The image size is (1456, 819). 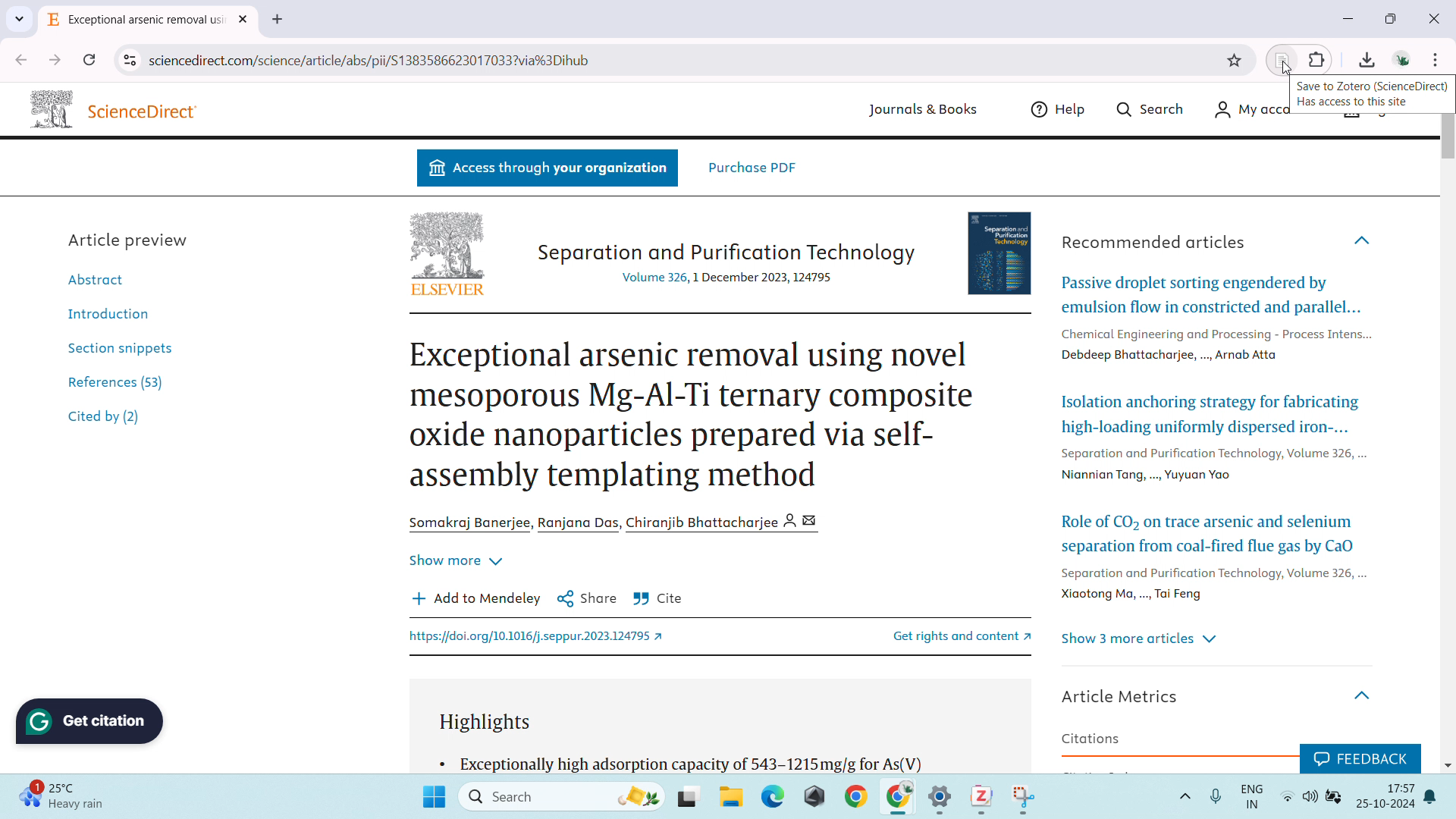 I want to click on https://doi.org/10.1016/j.seppur.2023.124795 2, so click(x=541, y=638).